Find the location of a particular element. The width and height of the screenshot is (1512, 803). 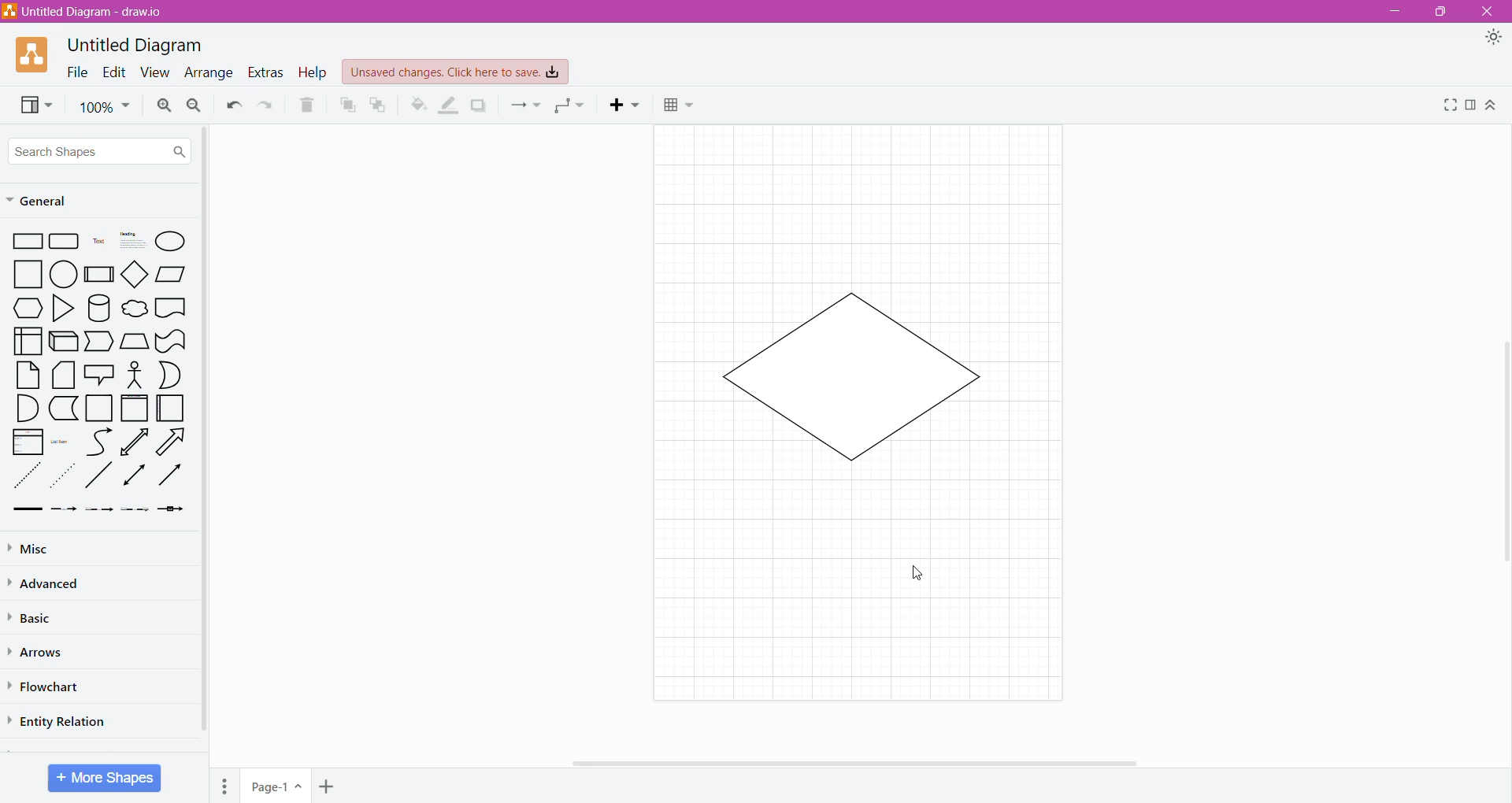

Close is located at coordinates (1490, 10).